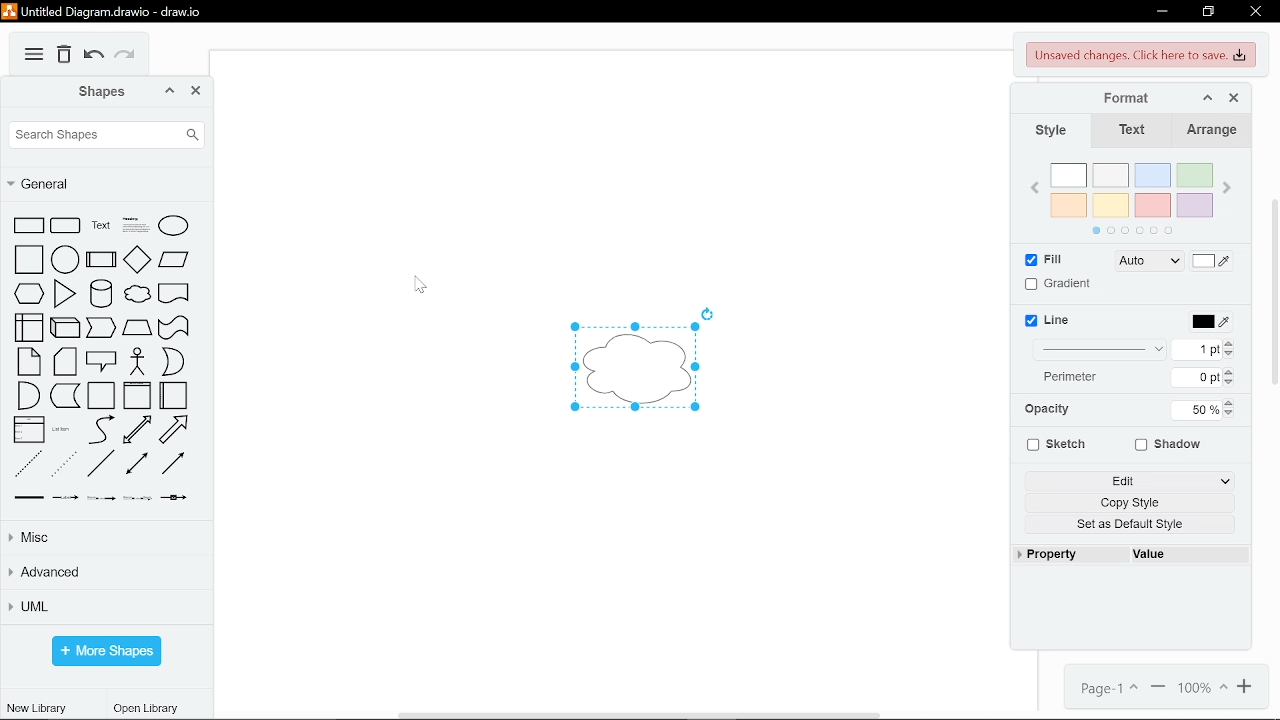 The width and height of the screenshot is (1280, 720). I want to click on Indicates input for perimeter, so click(1067, 376).